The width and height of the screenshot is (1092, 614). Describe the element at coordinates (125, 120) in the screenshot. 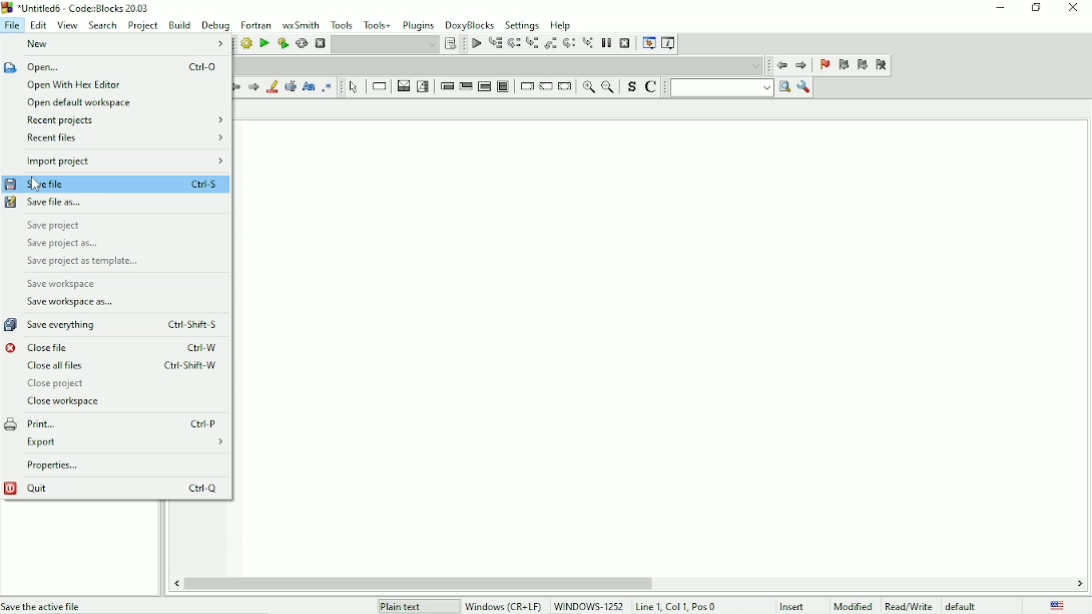

I see `Recent projects` at that location.